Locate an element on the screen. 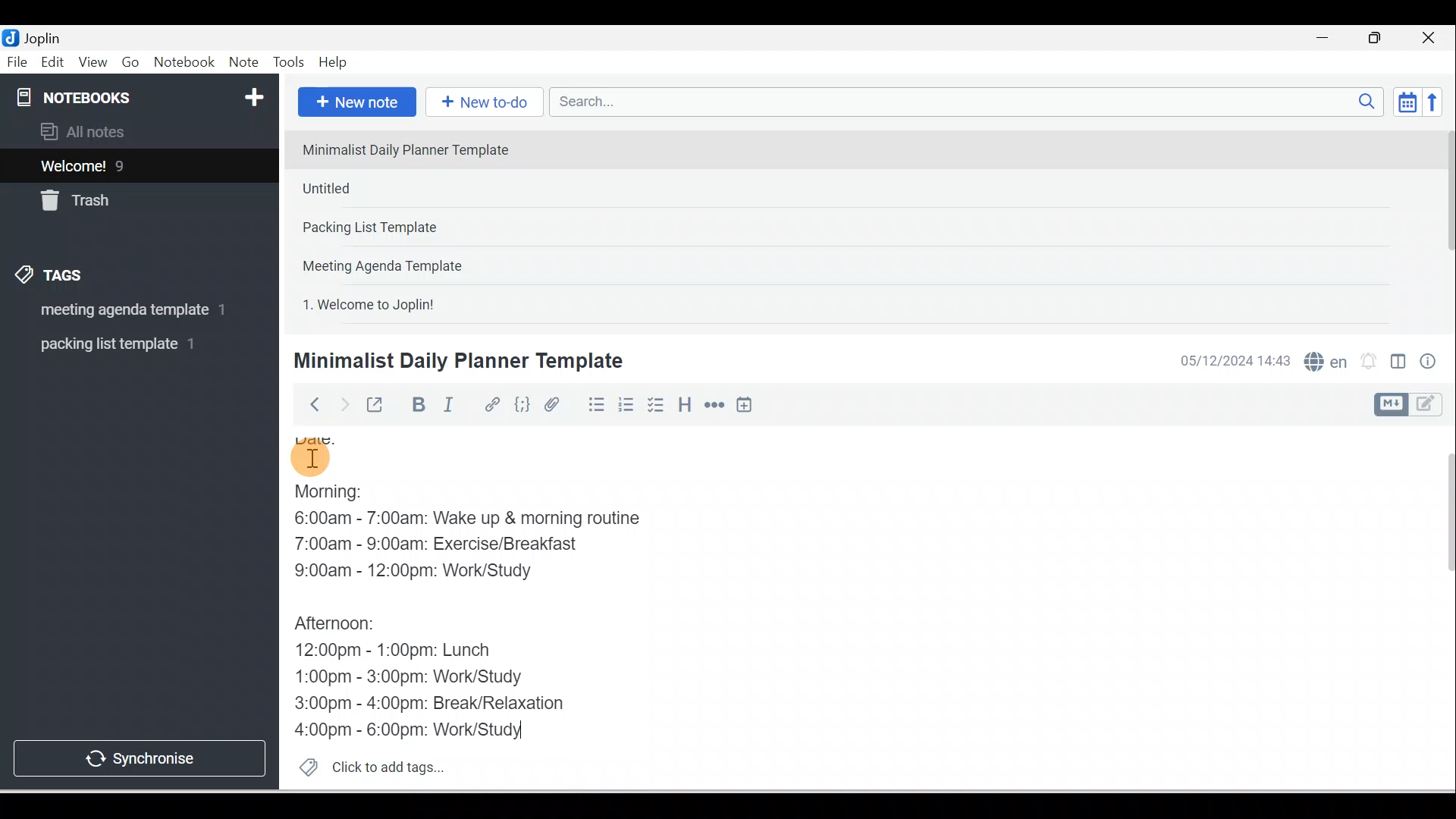  Note 2 is located at coordinates (401, 188).